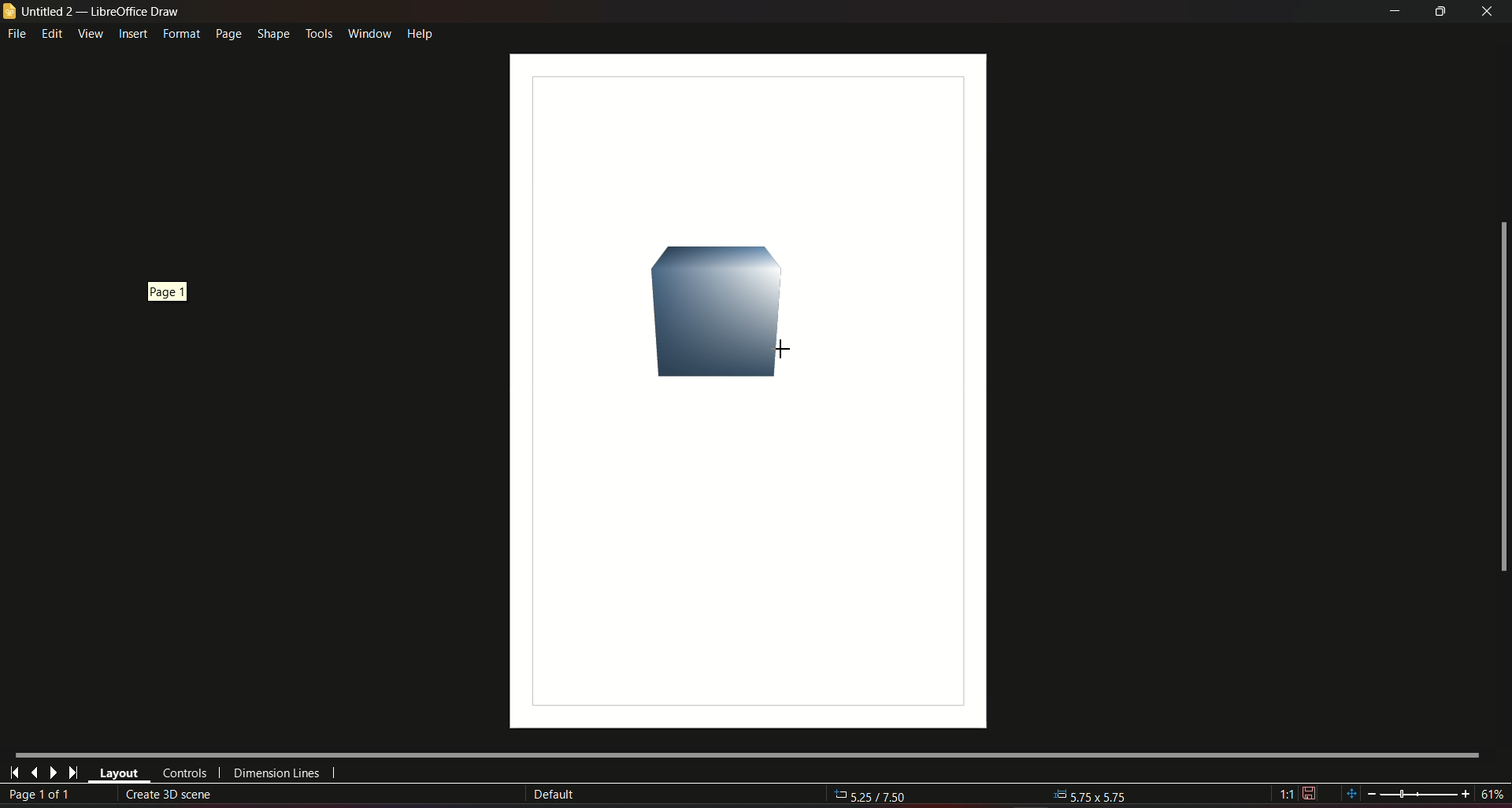 The height and width of the screenshot is (808, 1512). What do you see at coordinates (183, 773) in the screenshot?
I see `controls` at bounding box center [183, 773].